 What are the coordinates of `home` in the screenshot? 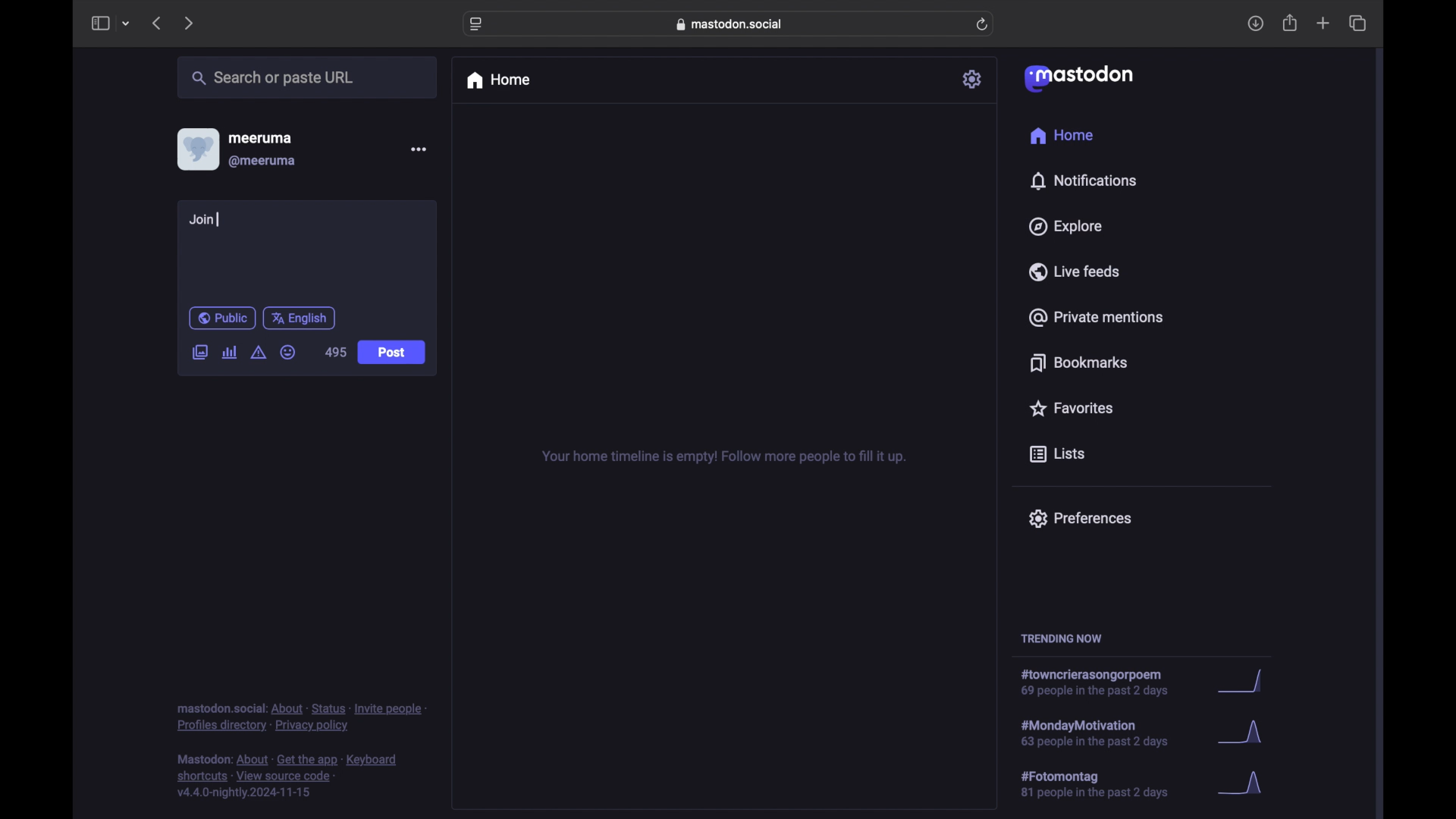 It's located at (497, 80).